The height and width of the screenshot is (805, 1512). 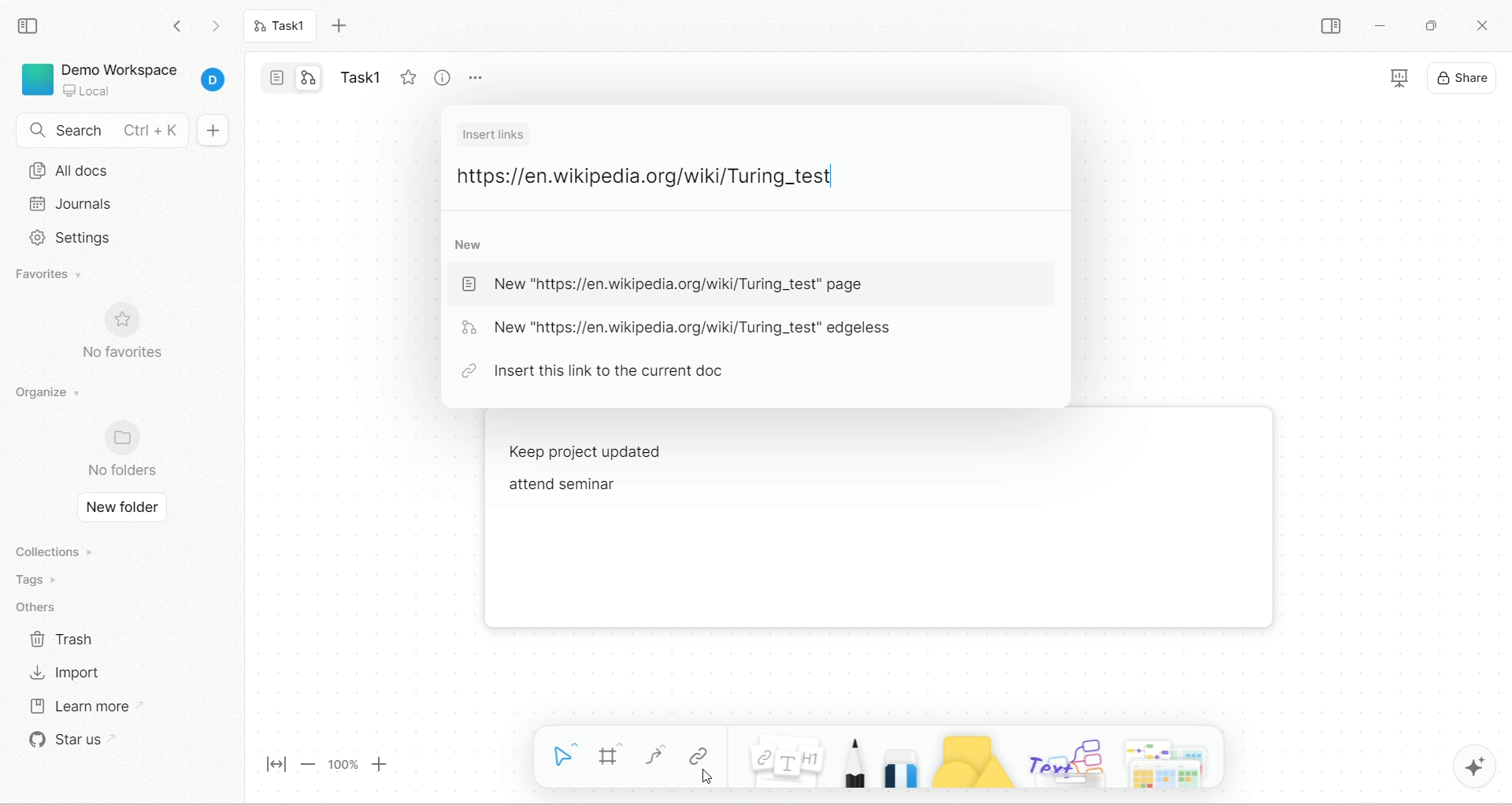 I want to click on share, so click(x=1458, y=76).